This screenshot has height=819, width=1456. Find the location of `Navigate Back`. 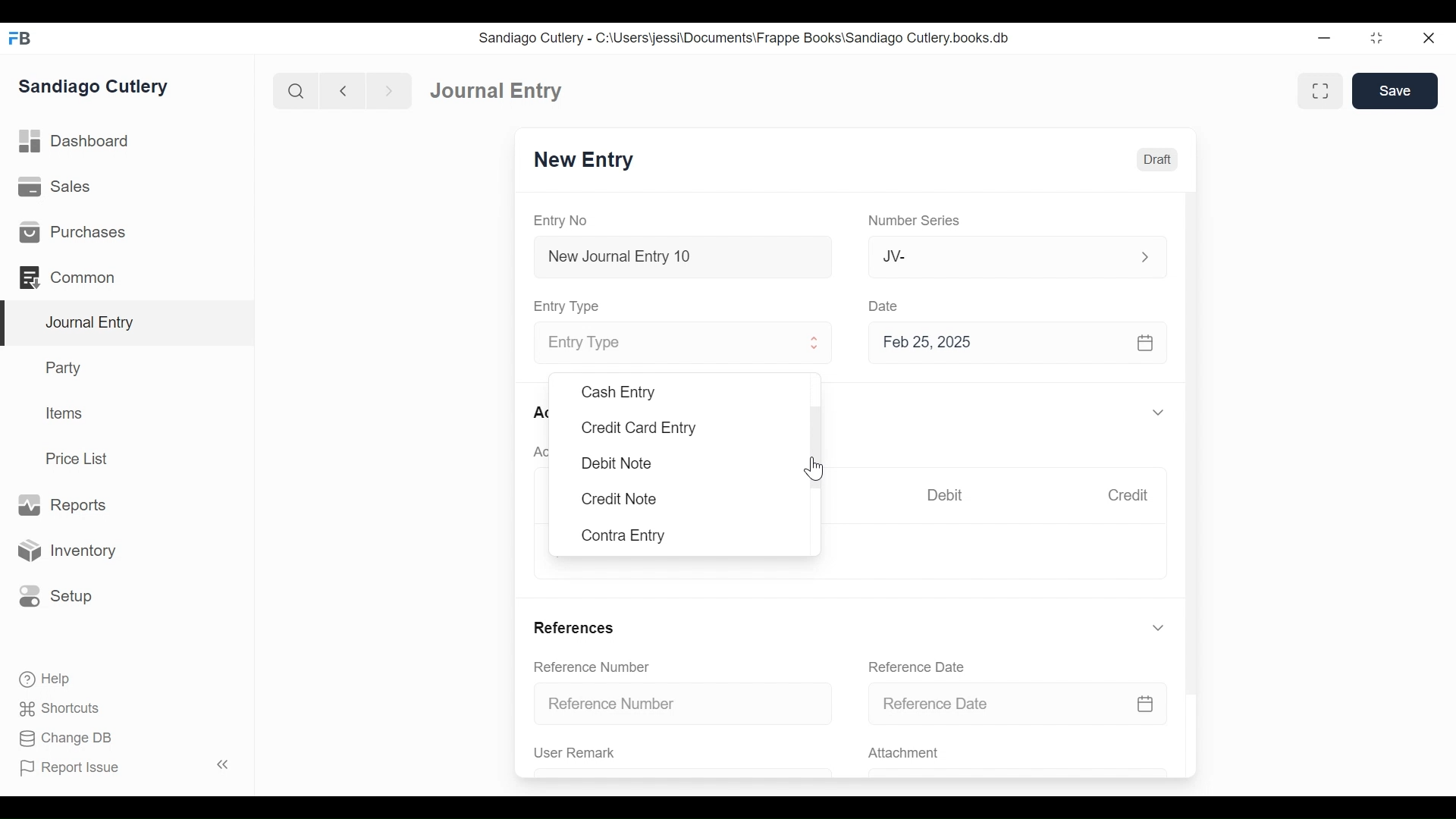

Navigate Back is located at coordinates (344, 91).